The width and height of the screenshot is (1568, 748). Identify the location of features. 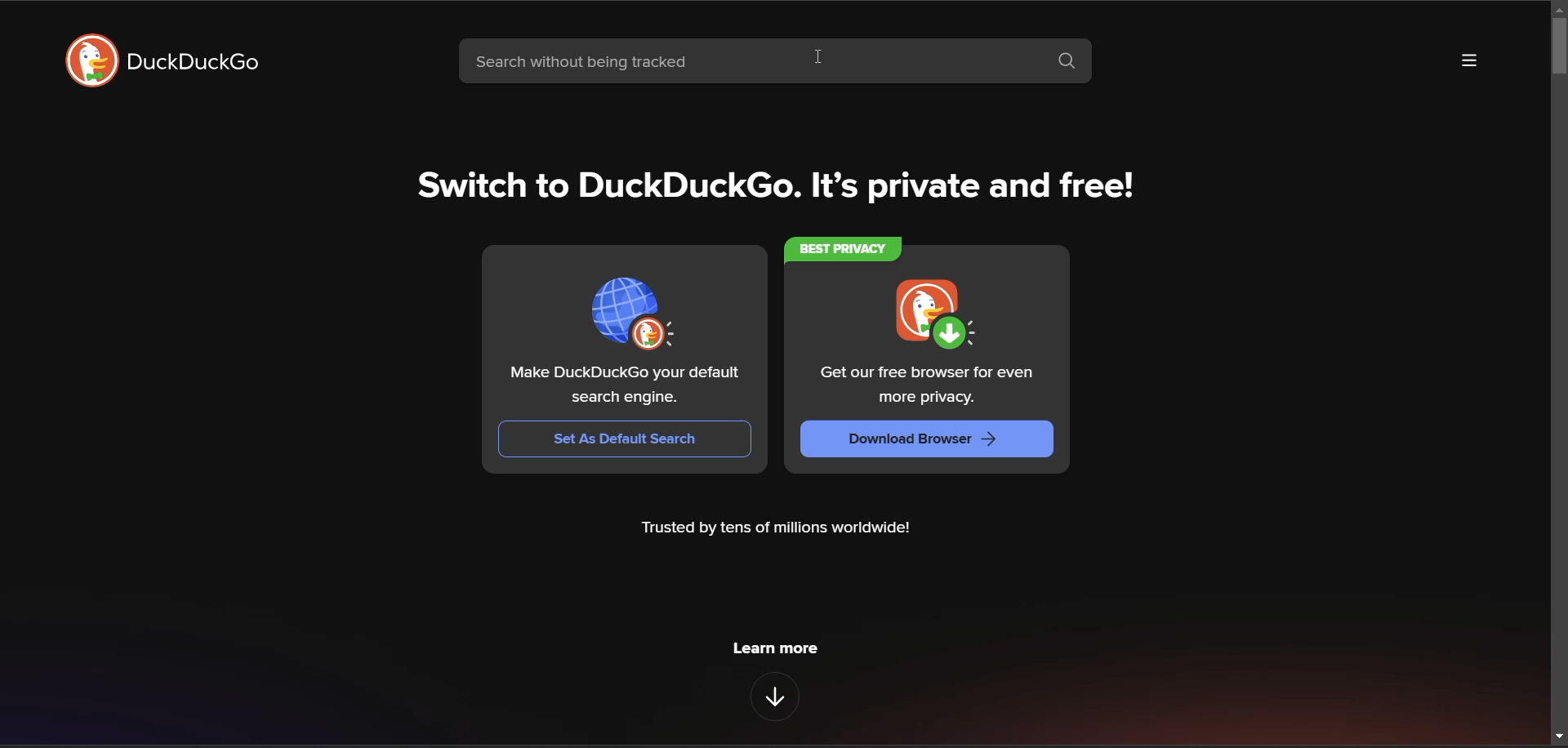
(773, 698).